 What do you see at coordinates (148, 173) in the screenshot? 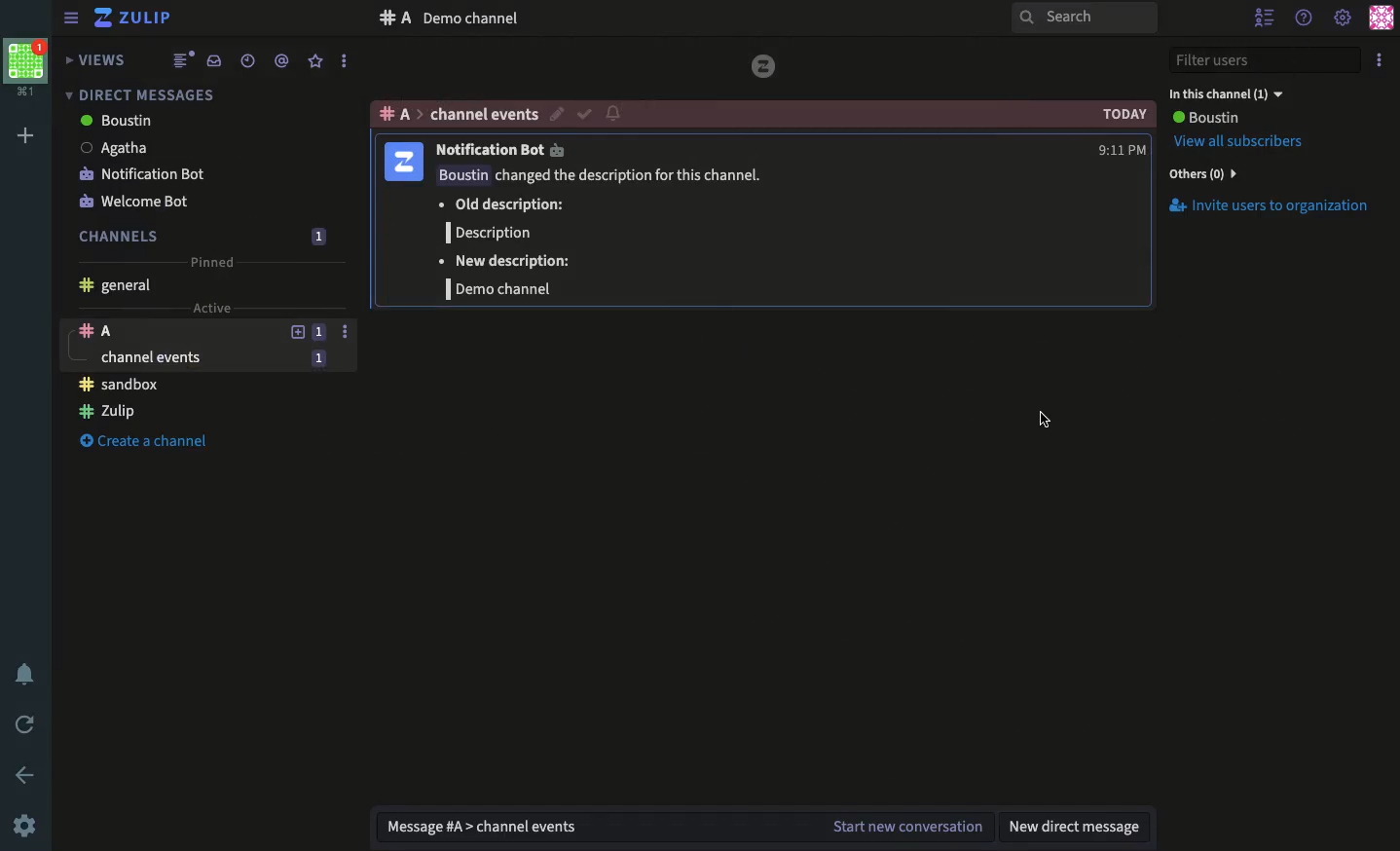
I see `Notification bot` at bounding box center [148, 173].